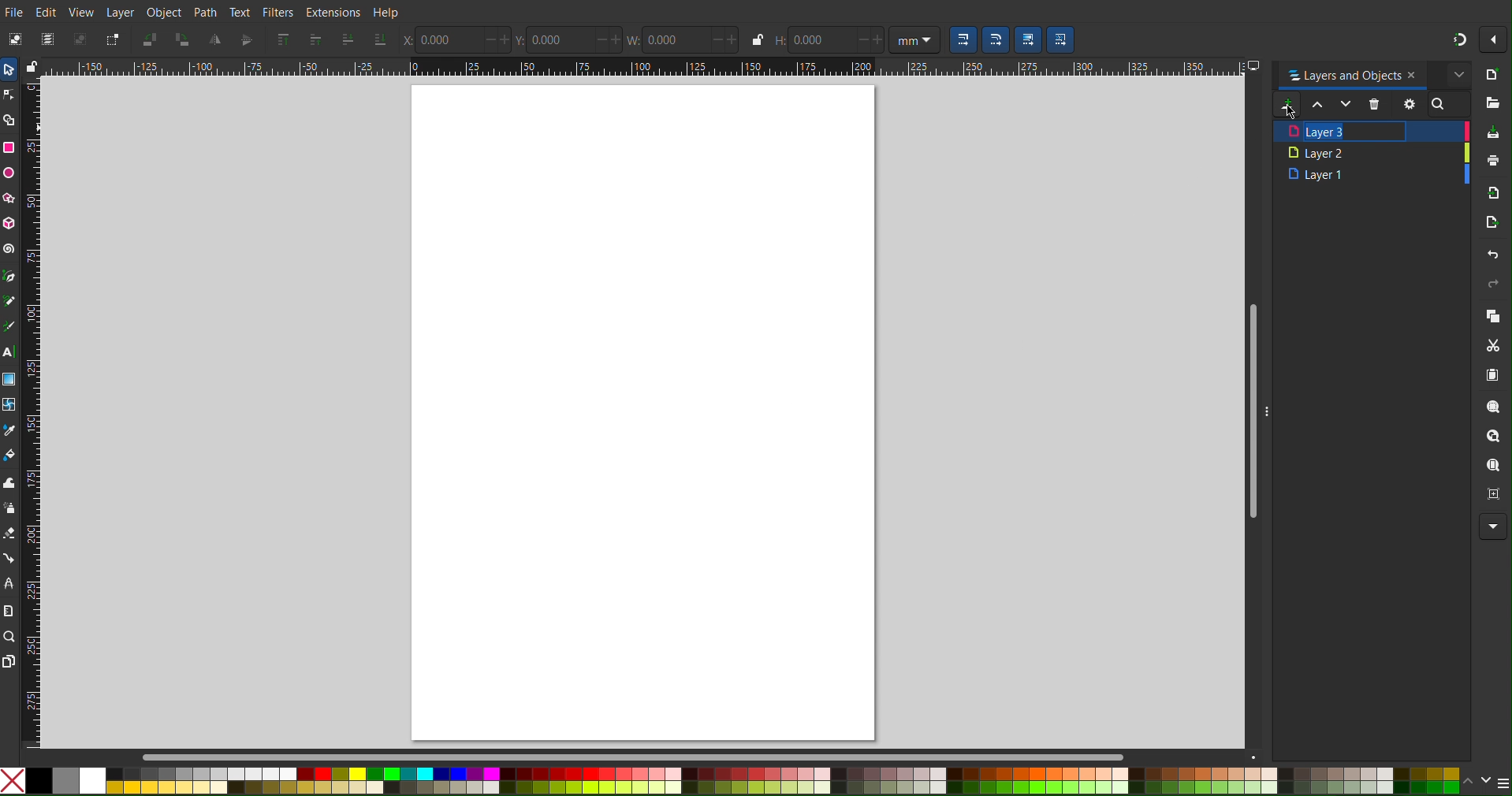  I want to click on 3D Box Tool, so click(14, 224).